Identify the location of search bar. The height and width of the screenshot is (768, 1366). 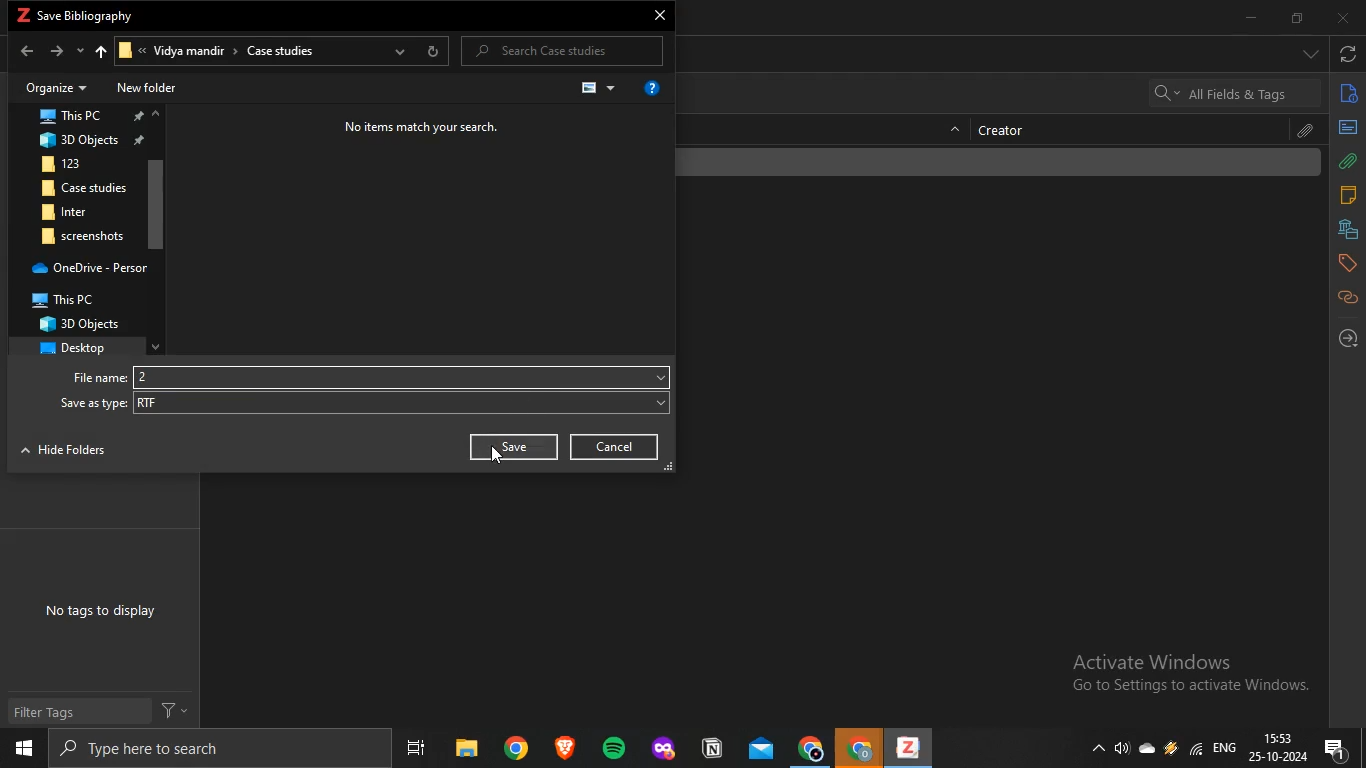
(1234, 92).